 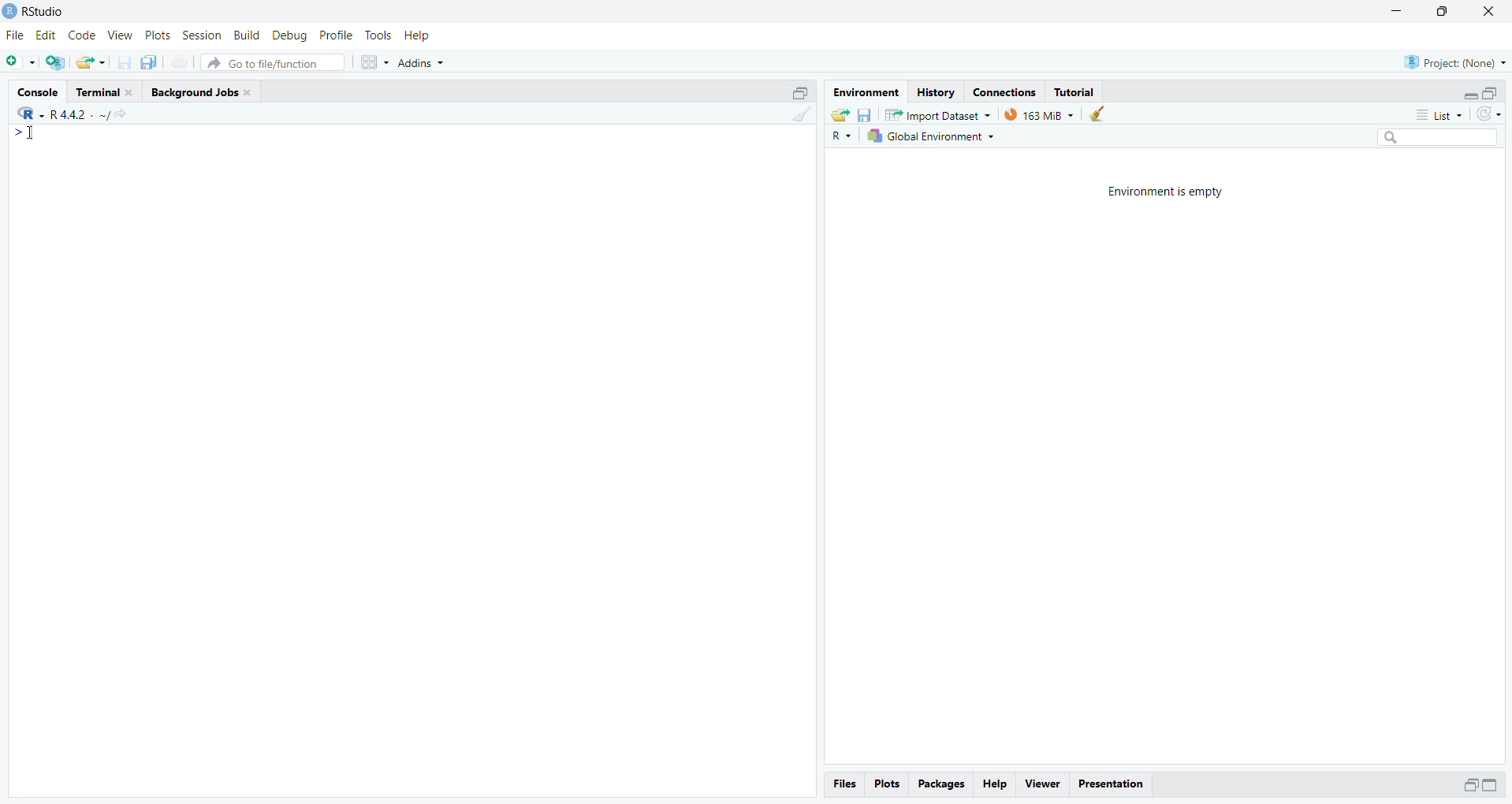 I want to click on view, so click(x=121, y=35).